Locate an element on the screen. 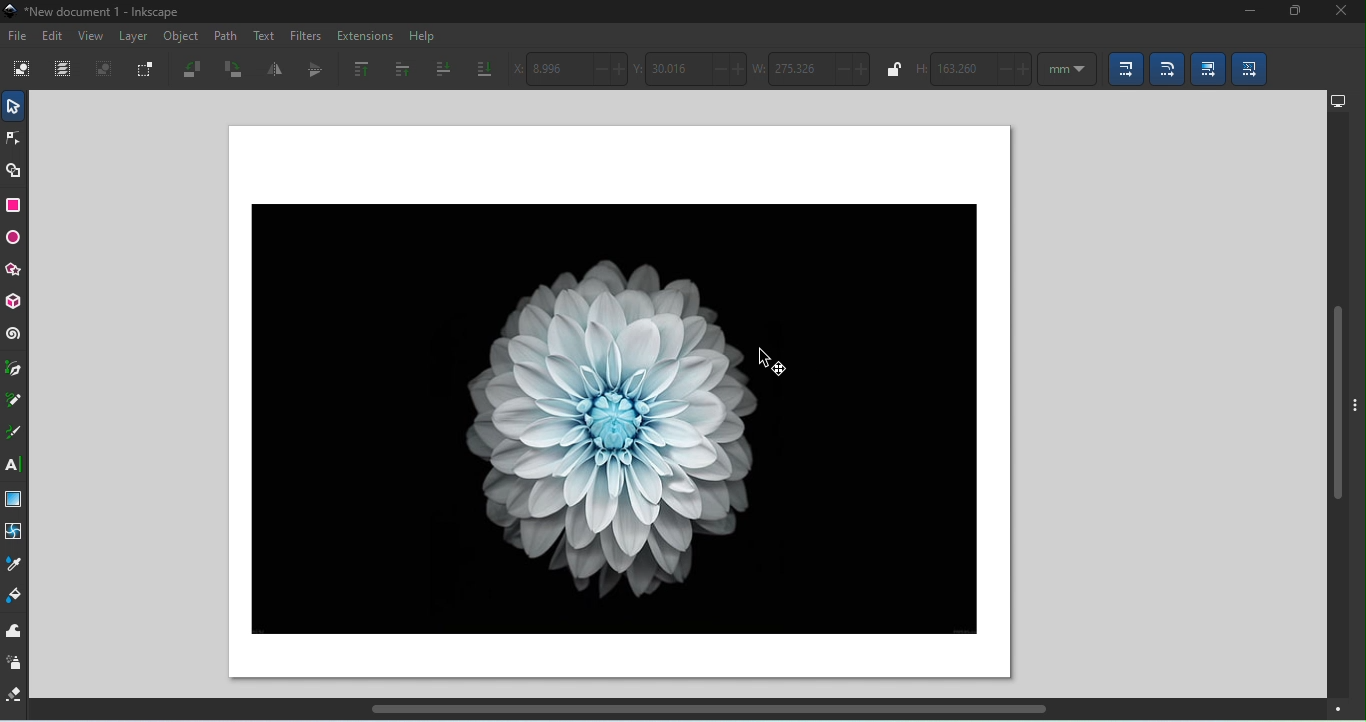 Image resolution: width=1366 pixels, height=722 pixels. When scaling rectangles, scale the radii of the rounded corners is located at coordinates (1167, 70).